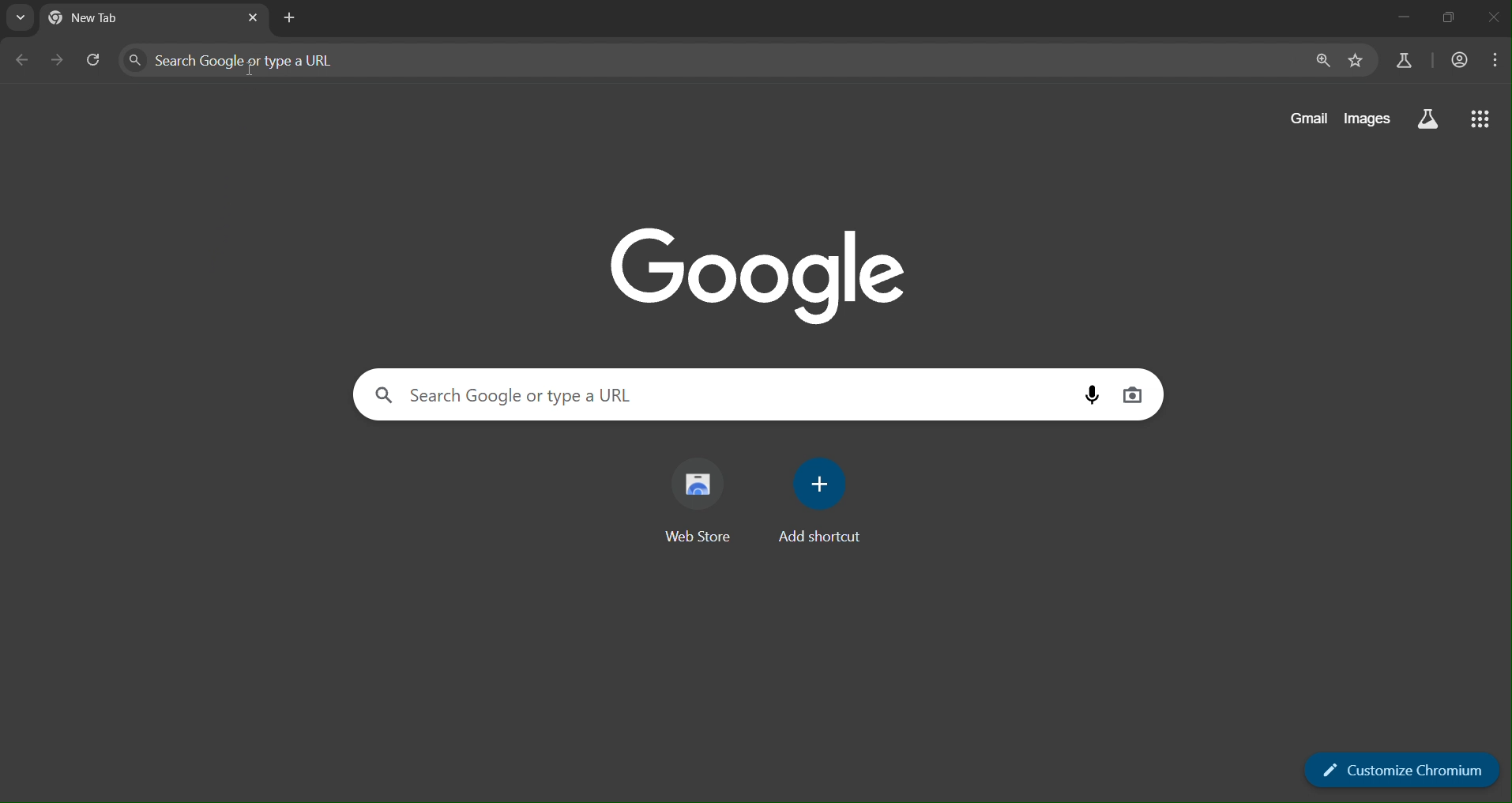  What do you see at coordinates (761, 273) in the screenshot?
I see `google ` at bounding box center [761, 273].